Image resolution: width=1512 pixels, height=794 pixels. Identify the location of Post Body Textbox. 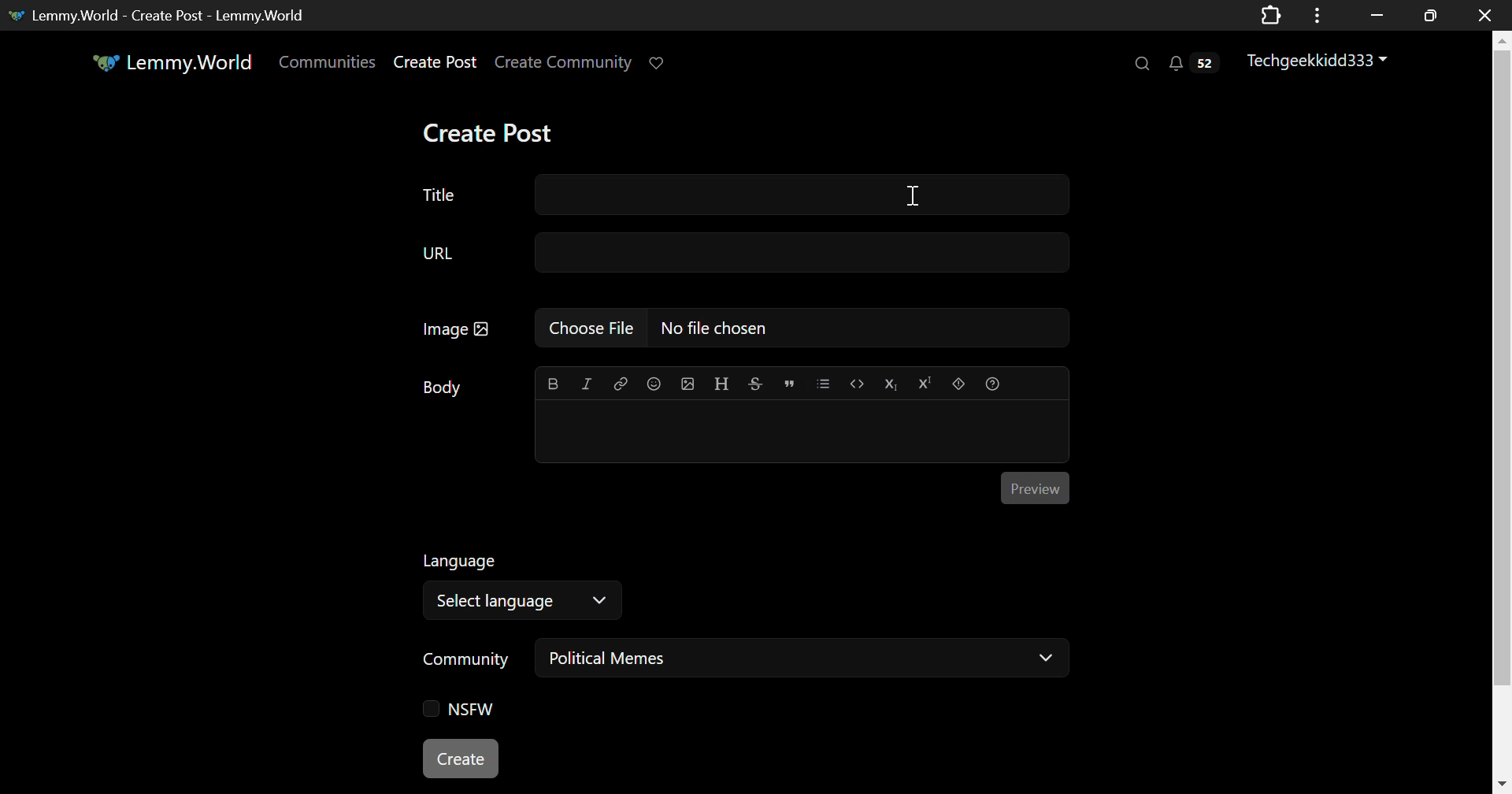
(804, 432).